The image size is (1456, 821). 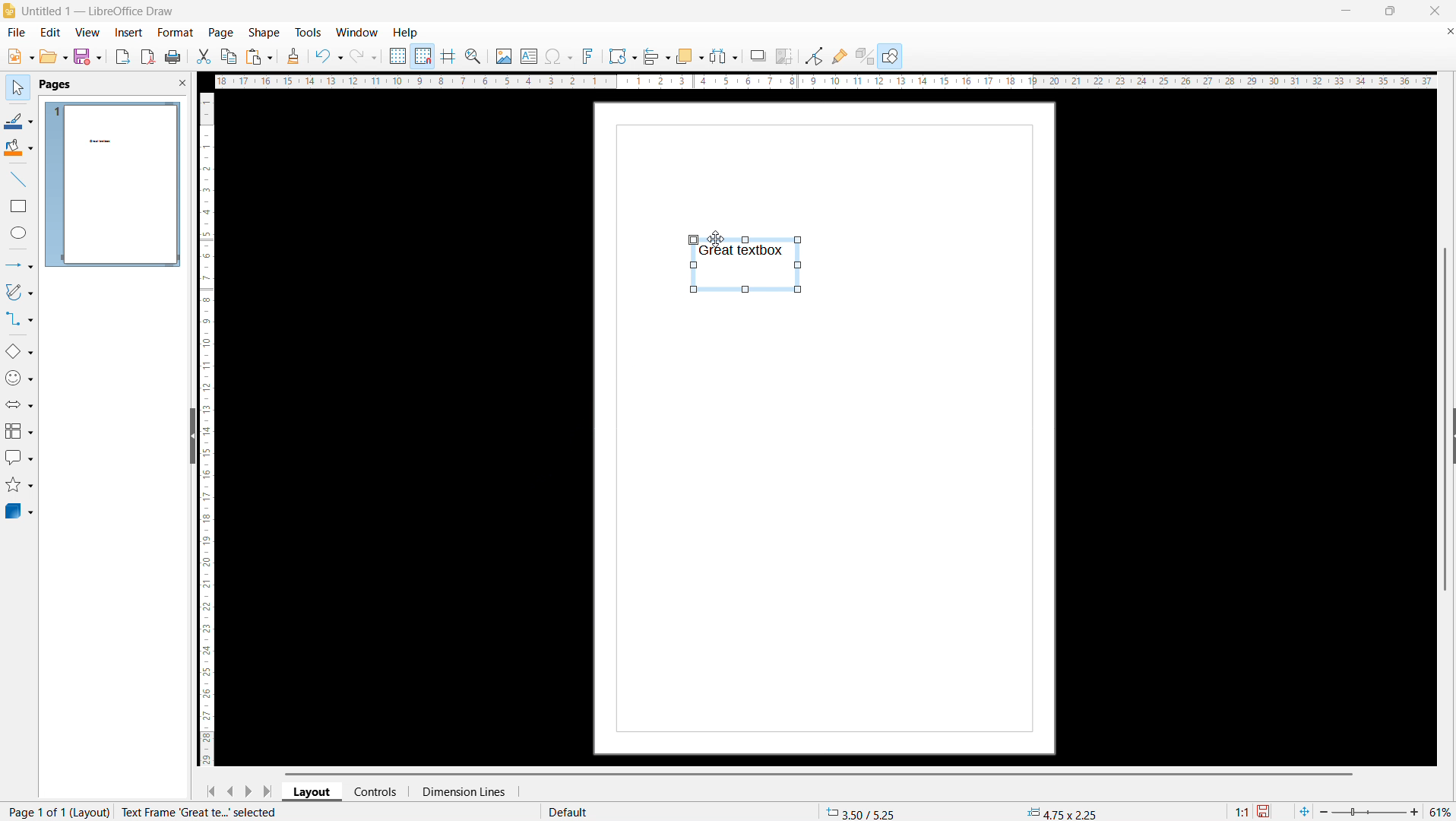 What do you see at coordinates (529, 55) in the screenshot?
I see `insert textbox` at bounding box center [529, 55].